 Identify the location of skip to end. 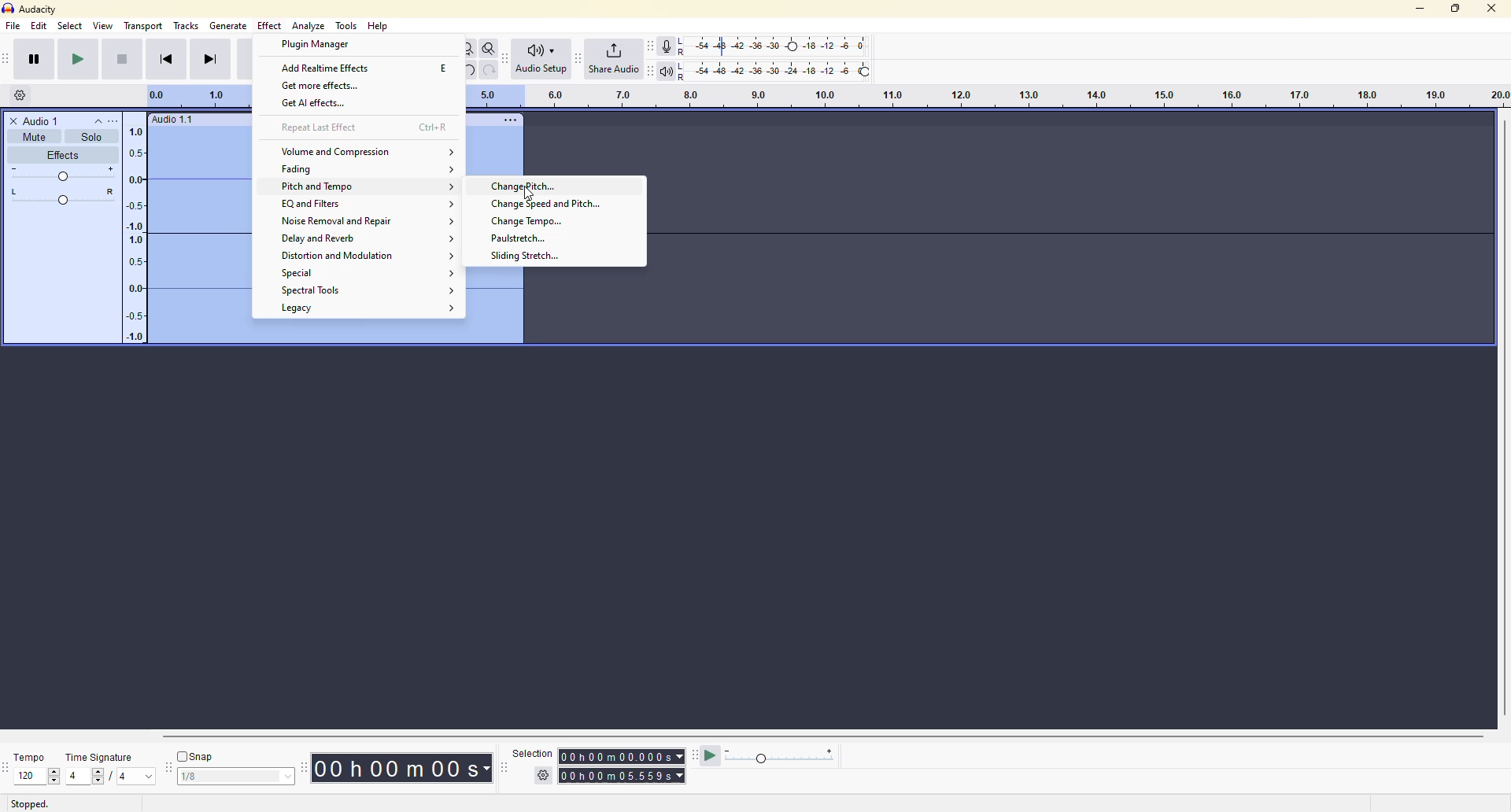
(212, 58).